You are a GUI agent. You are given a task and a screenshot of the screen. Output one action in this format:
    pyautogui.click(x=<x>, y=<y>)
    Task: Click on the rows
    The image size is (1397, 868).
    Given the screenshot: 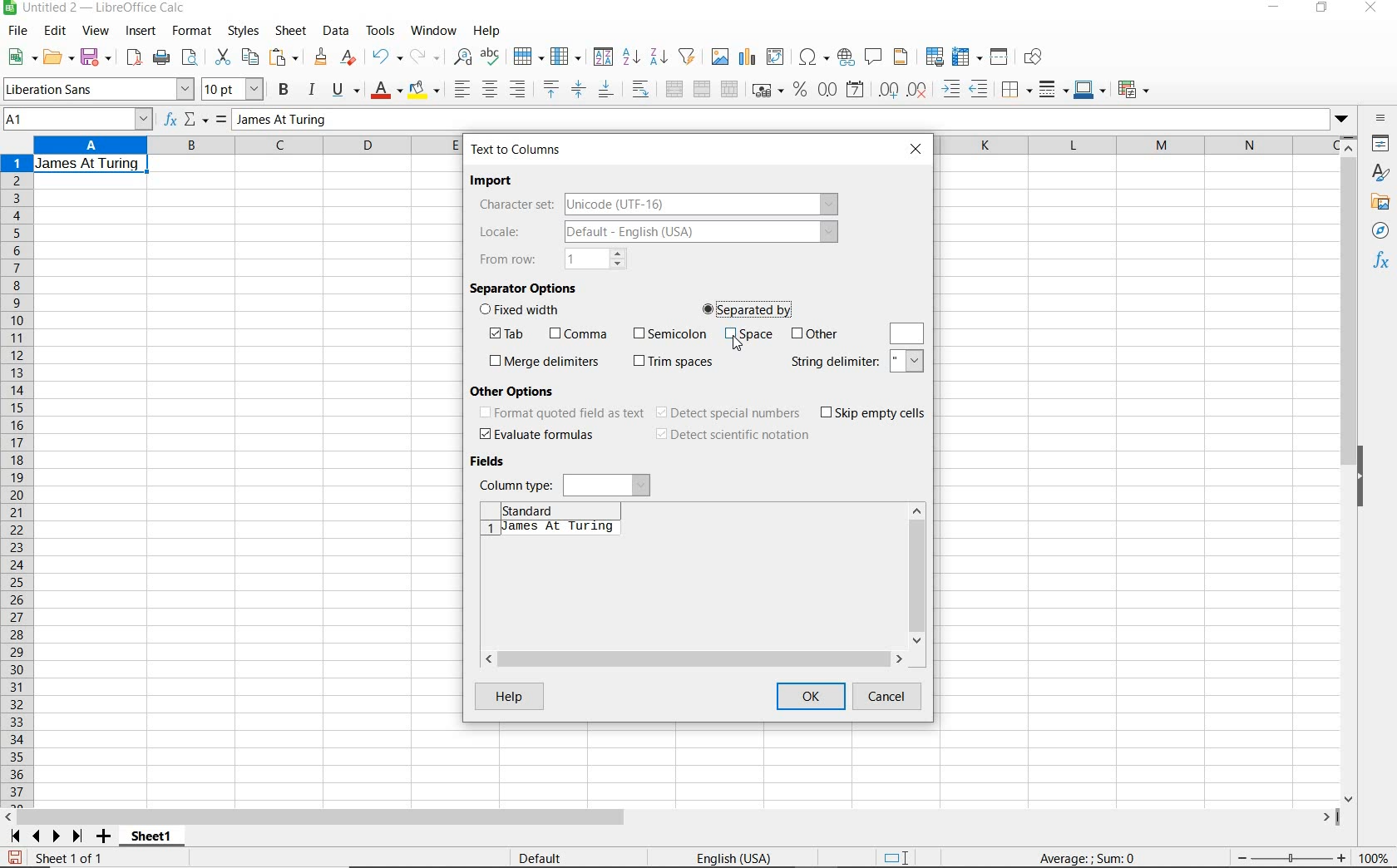 What is the action you would take?
    pyautogui.click(x=15, y=481)
    